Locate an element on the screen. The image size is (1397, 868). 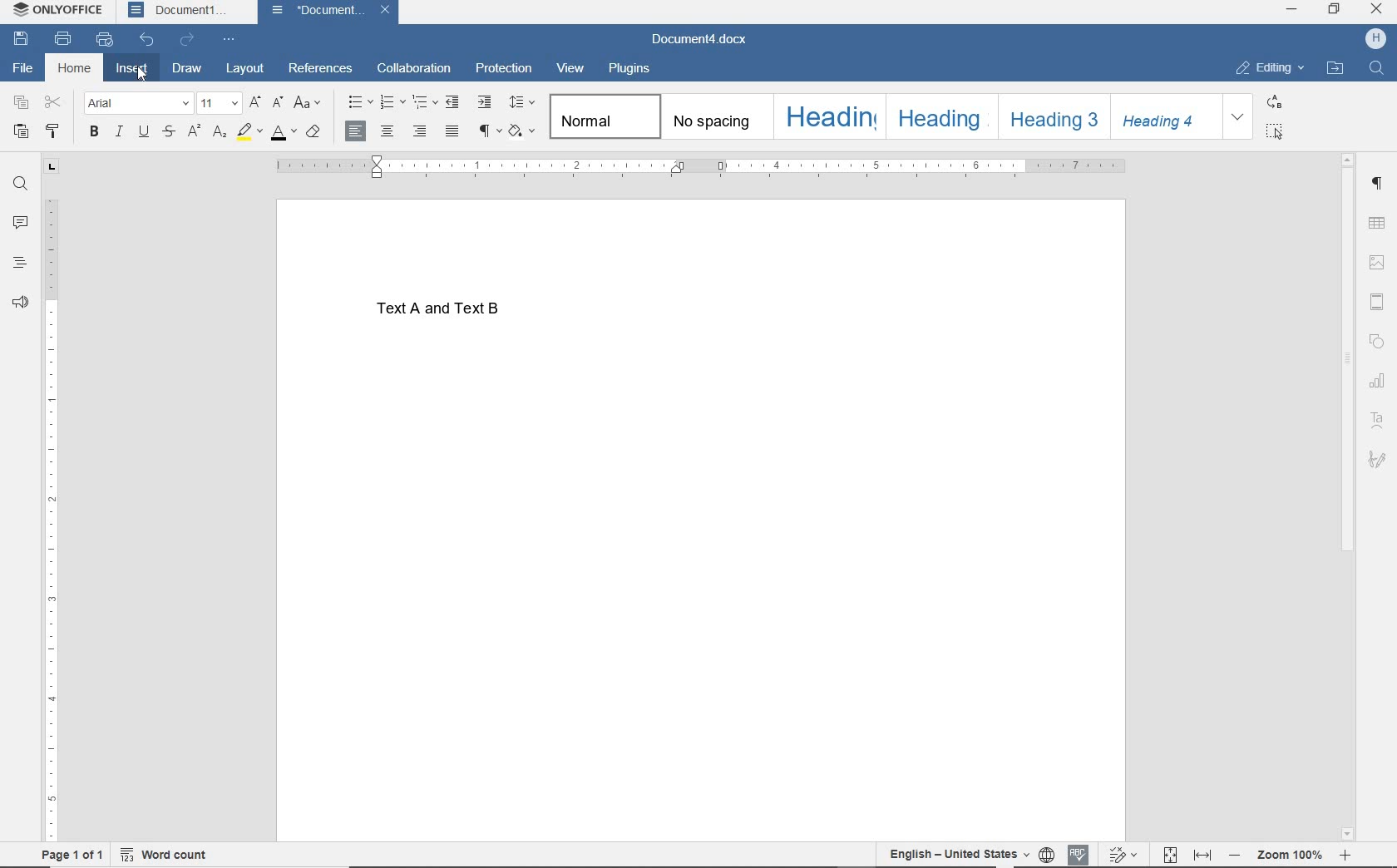
FIT TO PAGE is located at coordinates (1170, 853).